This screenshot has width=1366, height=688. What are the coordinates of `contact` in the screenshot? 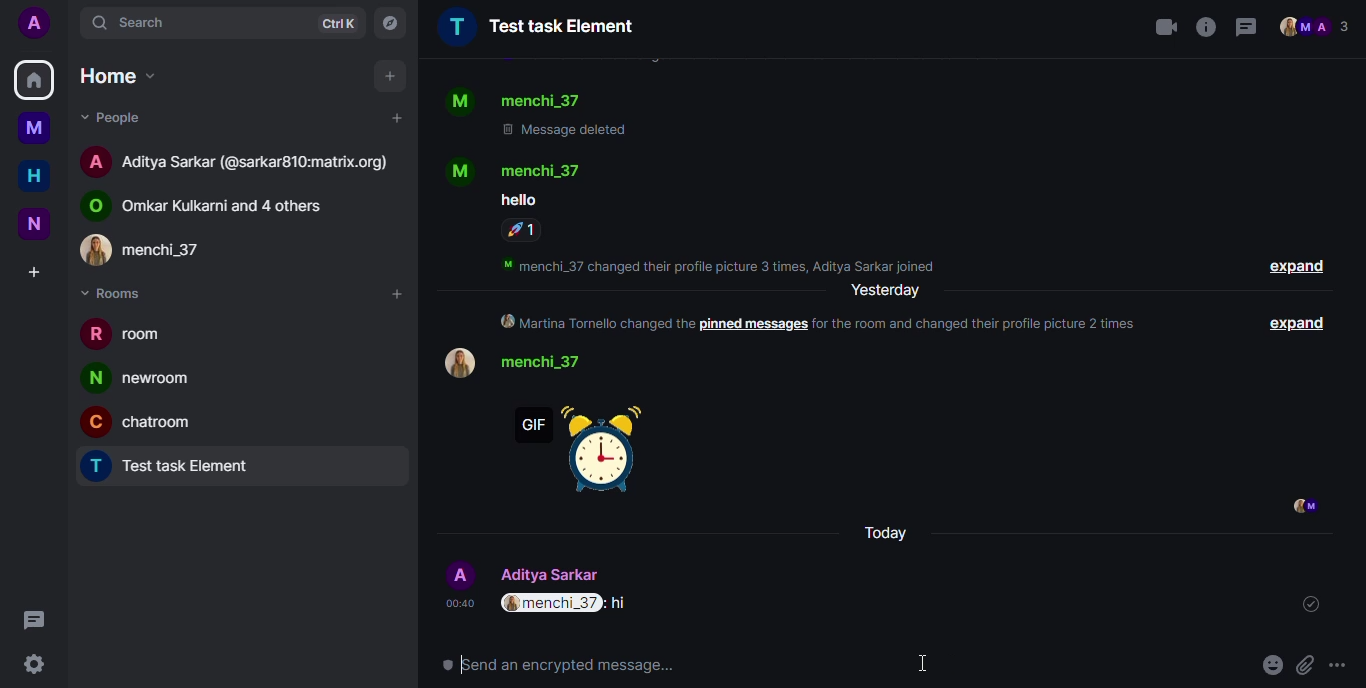 It's located at (216, 204).